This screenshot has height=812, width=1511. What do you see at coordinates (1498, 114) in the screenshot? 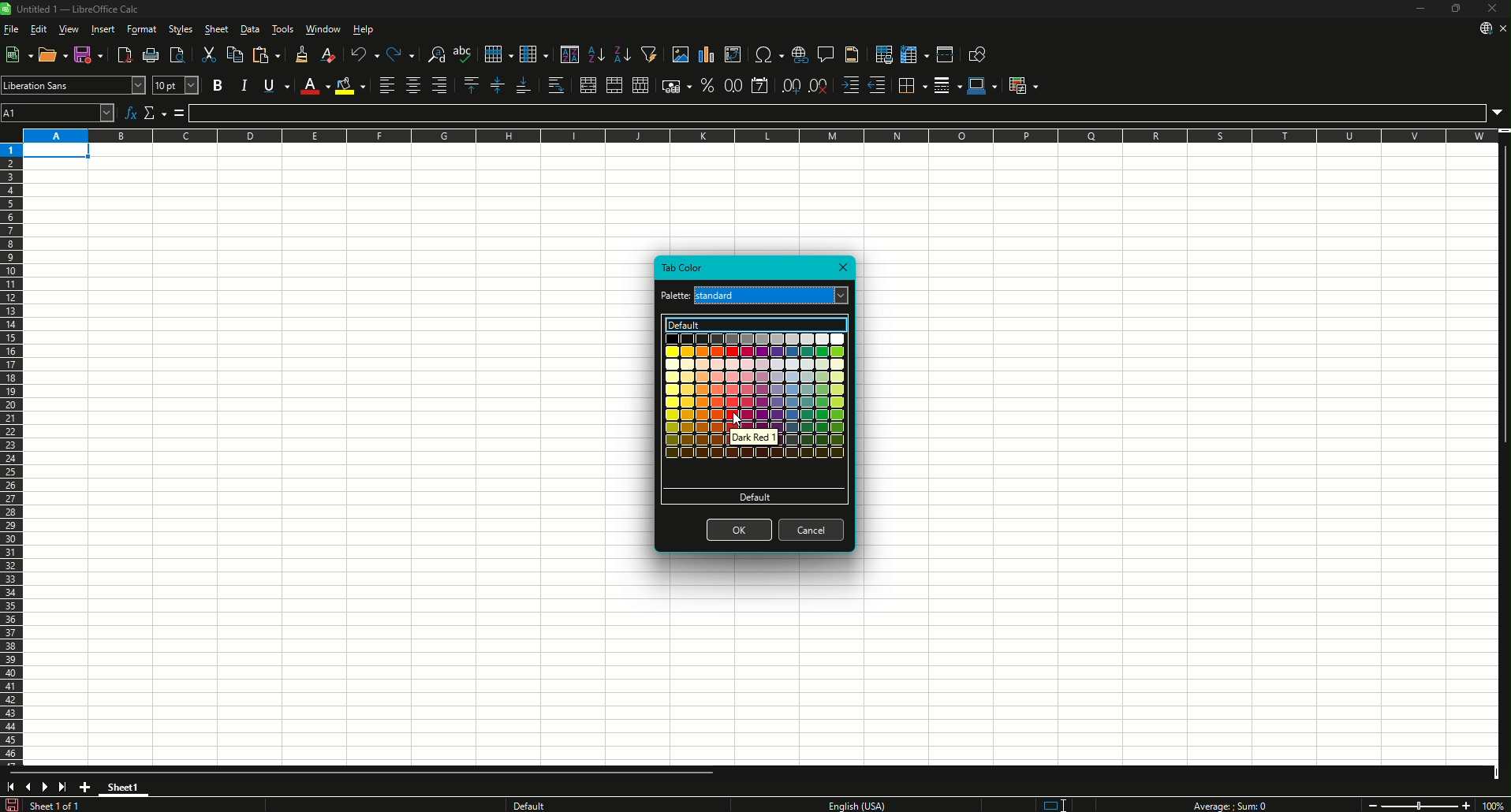
I see `Expand Formula Bar` at bounding box center [1498, 114].